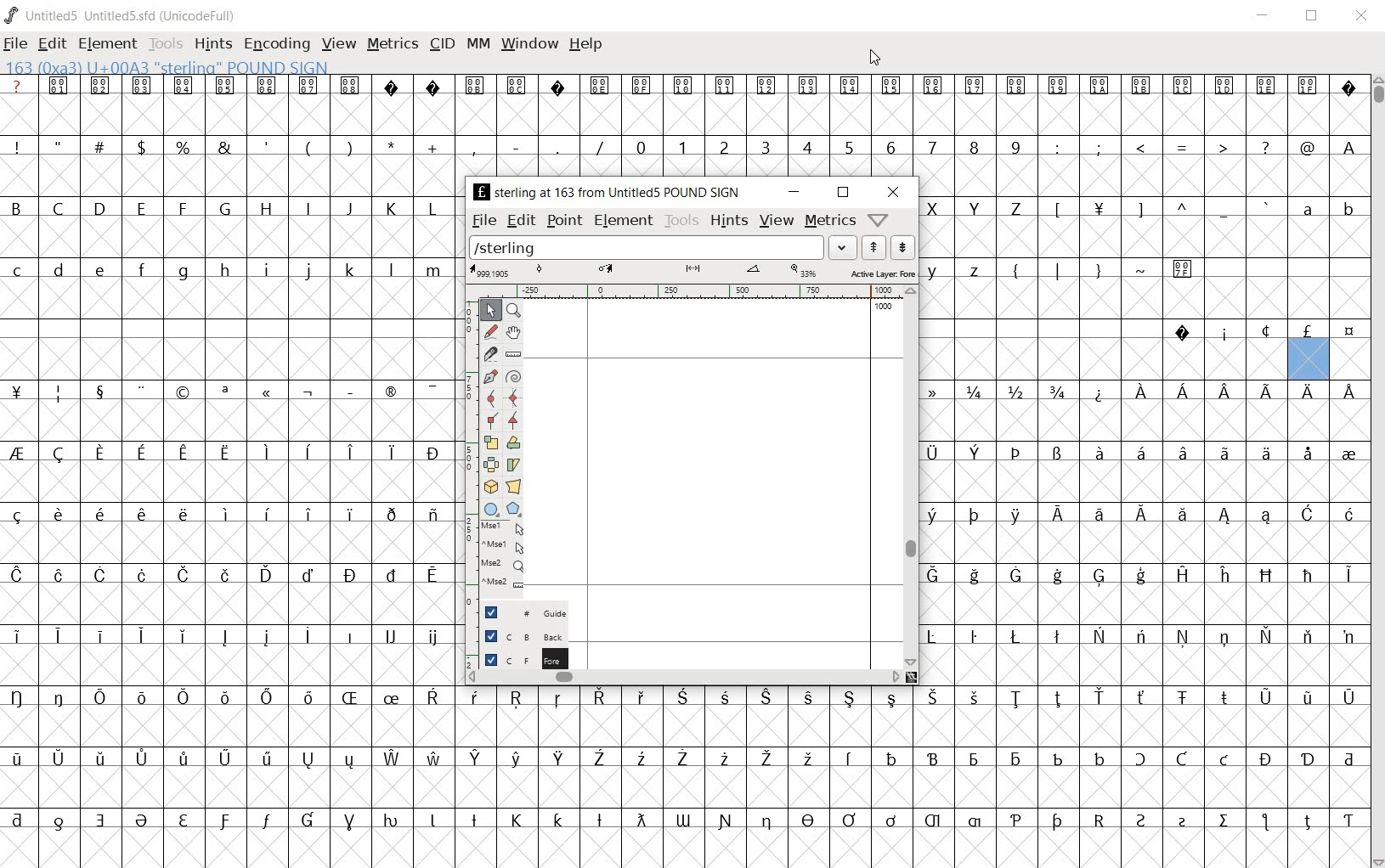  What do you see at coordinates (60, 210) in the screenshot?
I see `C` at bounding box center [60, 210].